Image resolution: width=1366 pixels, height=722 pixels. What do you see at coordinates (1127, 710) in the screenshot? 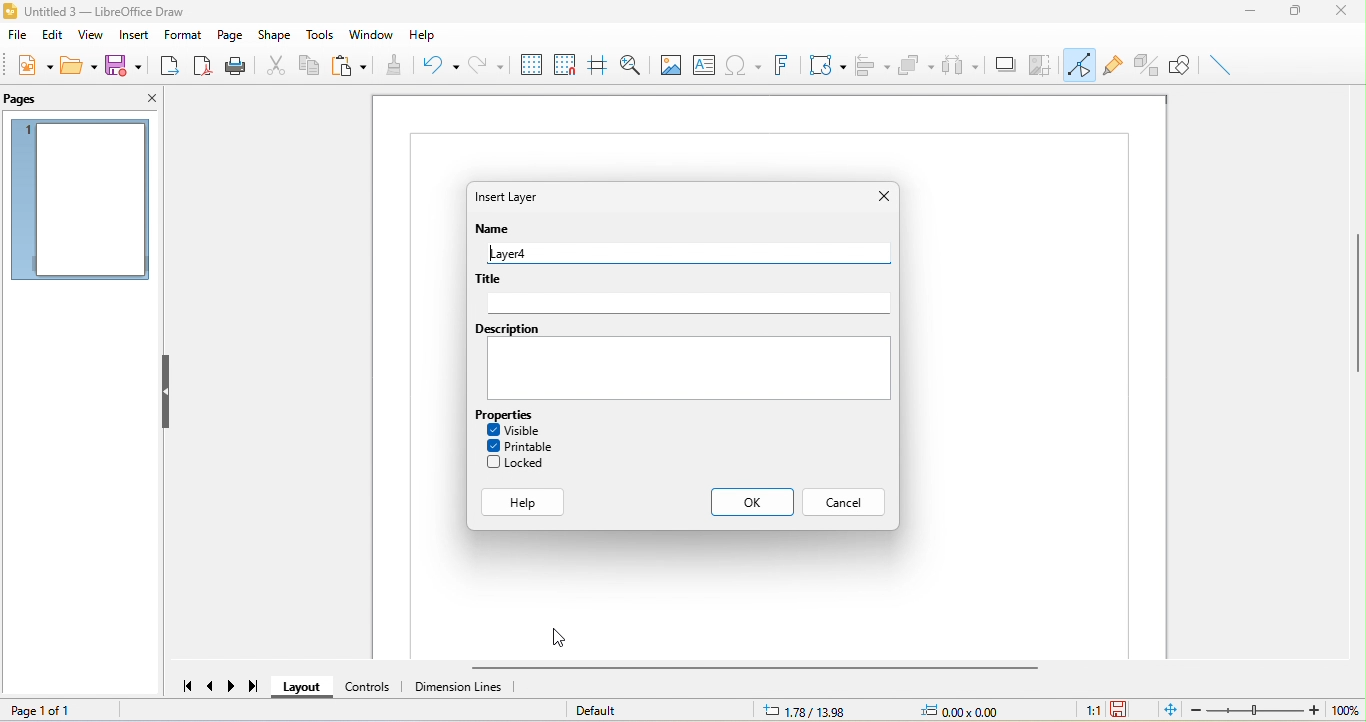
I see `the document has not been modified since the last save` at bounding box center [1127, 710].